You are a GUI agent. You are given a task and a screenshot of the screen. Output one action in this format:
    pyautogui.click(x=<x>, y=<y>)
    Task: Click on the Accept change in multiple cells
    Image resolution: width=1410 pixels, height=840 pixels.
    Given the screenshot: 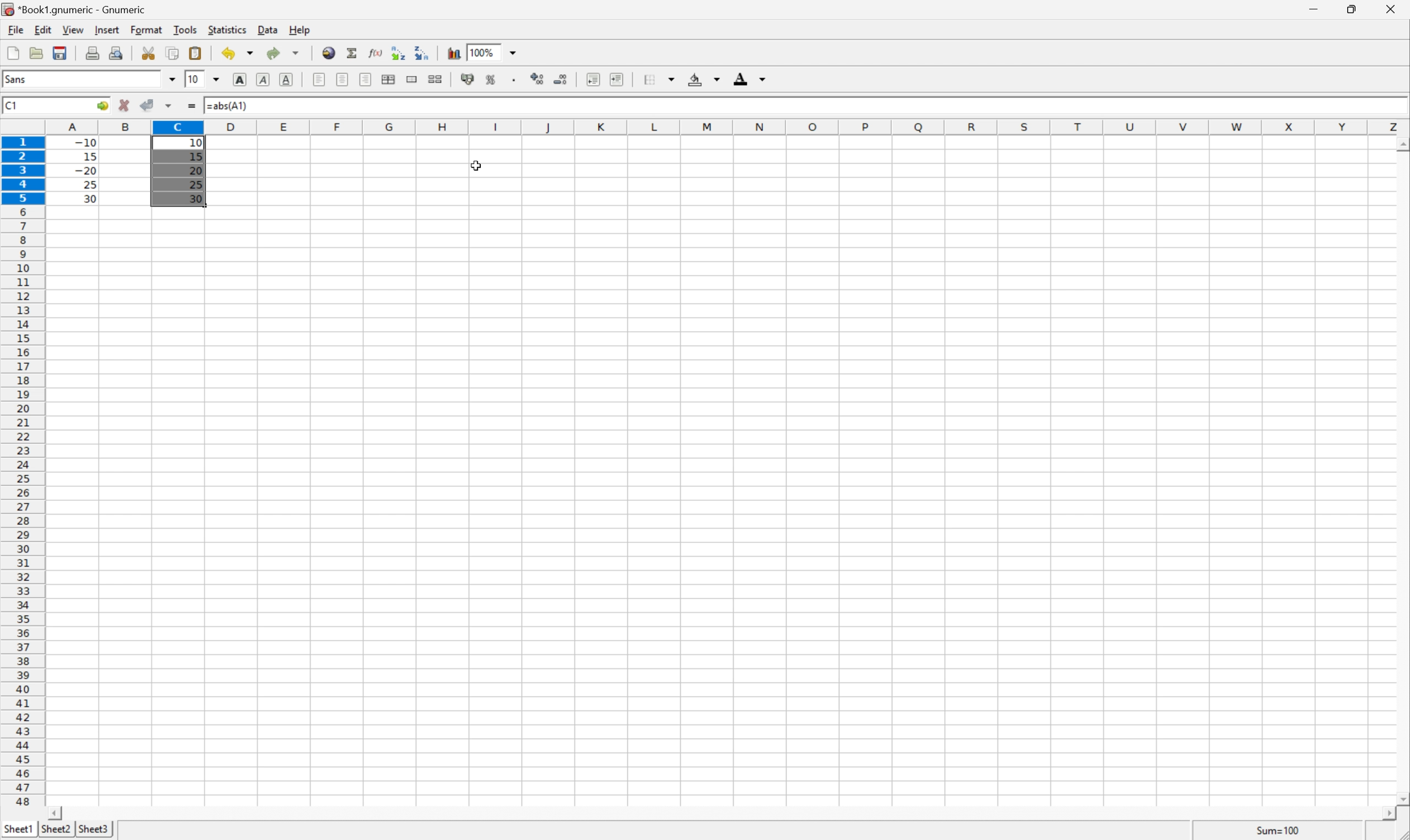 What is the action you would take?
    pyautogui.click(x=171, y=106)
    